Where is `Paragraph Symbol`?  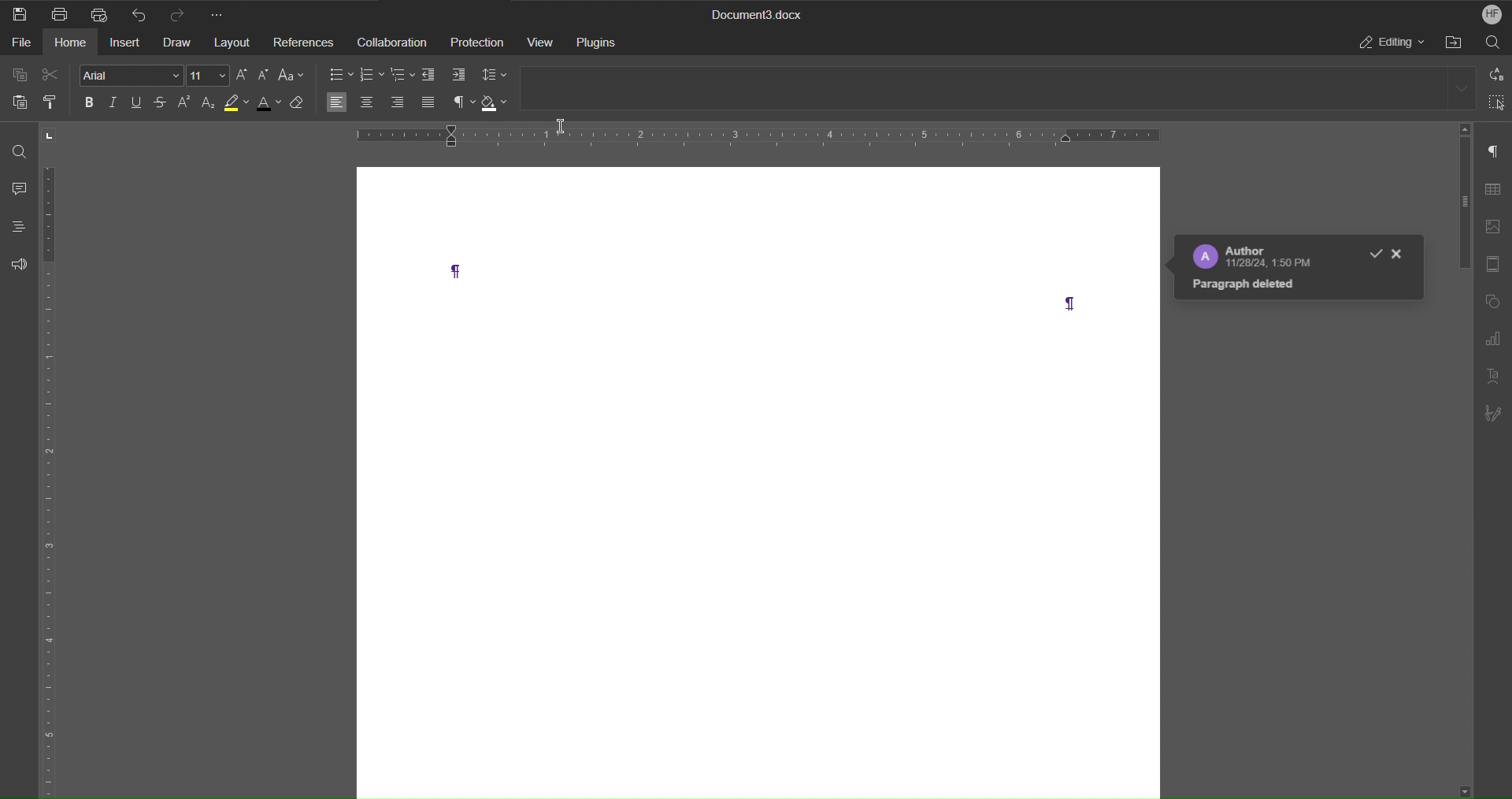 Paragraph Symbol is located at coordinates (1062, 299).